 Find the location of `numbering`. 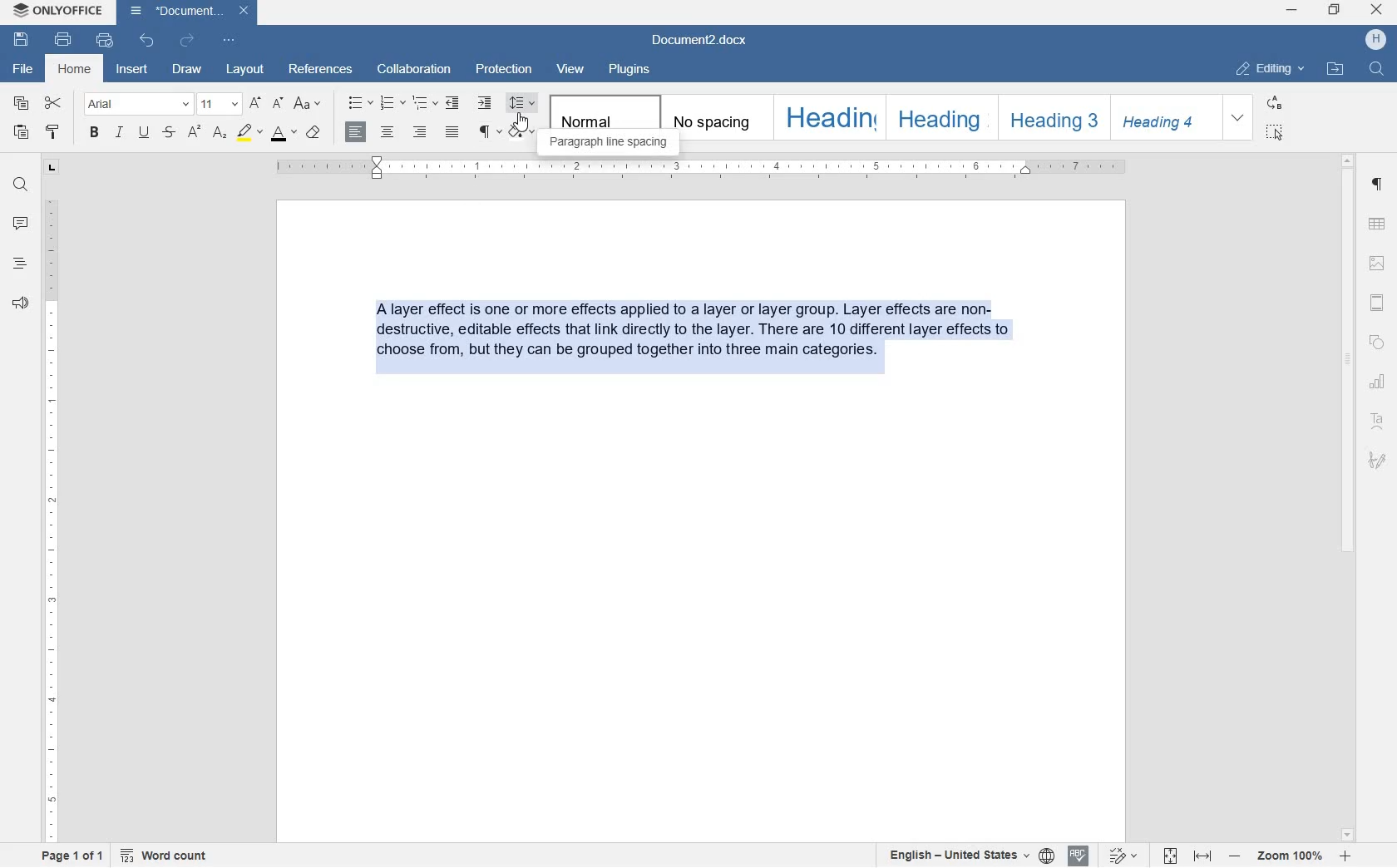

numbering is located at coordinates (390, 103).